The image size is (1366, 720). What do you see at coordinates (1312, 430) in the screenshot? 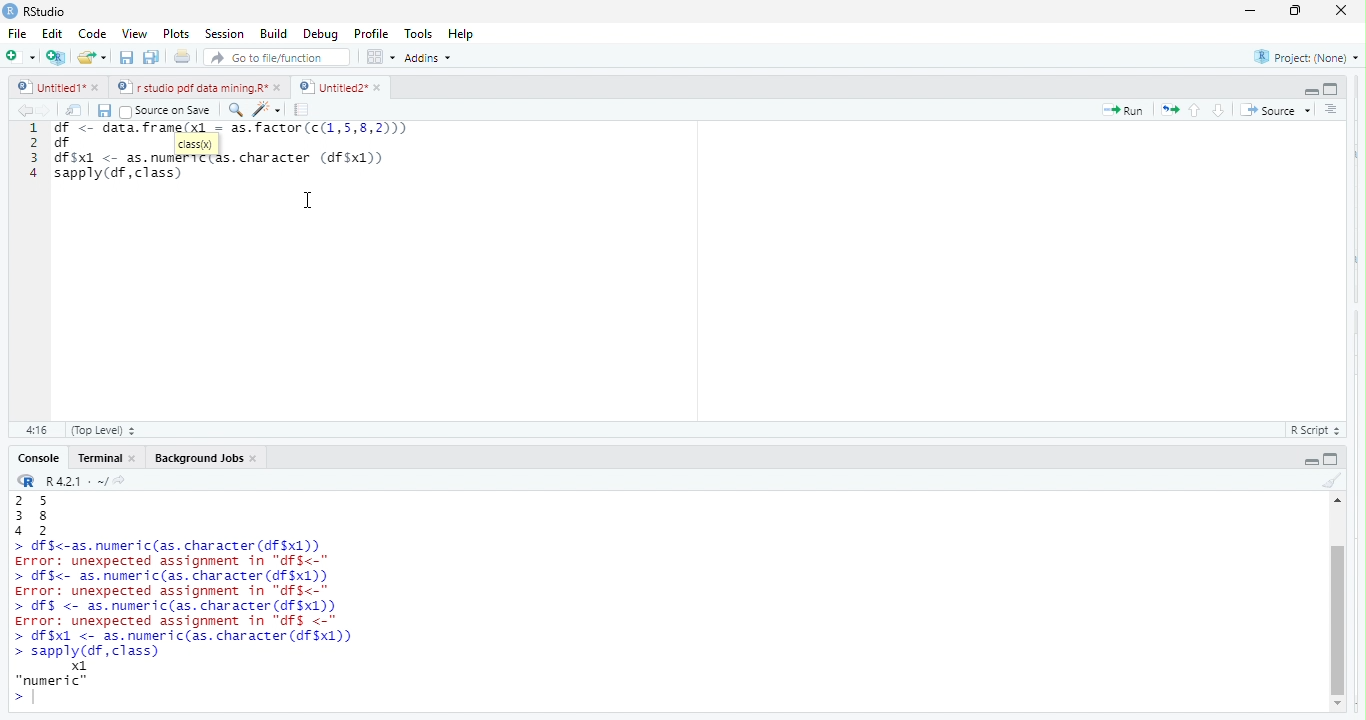
I see `RScript ` at bounding box center [1312, 430].